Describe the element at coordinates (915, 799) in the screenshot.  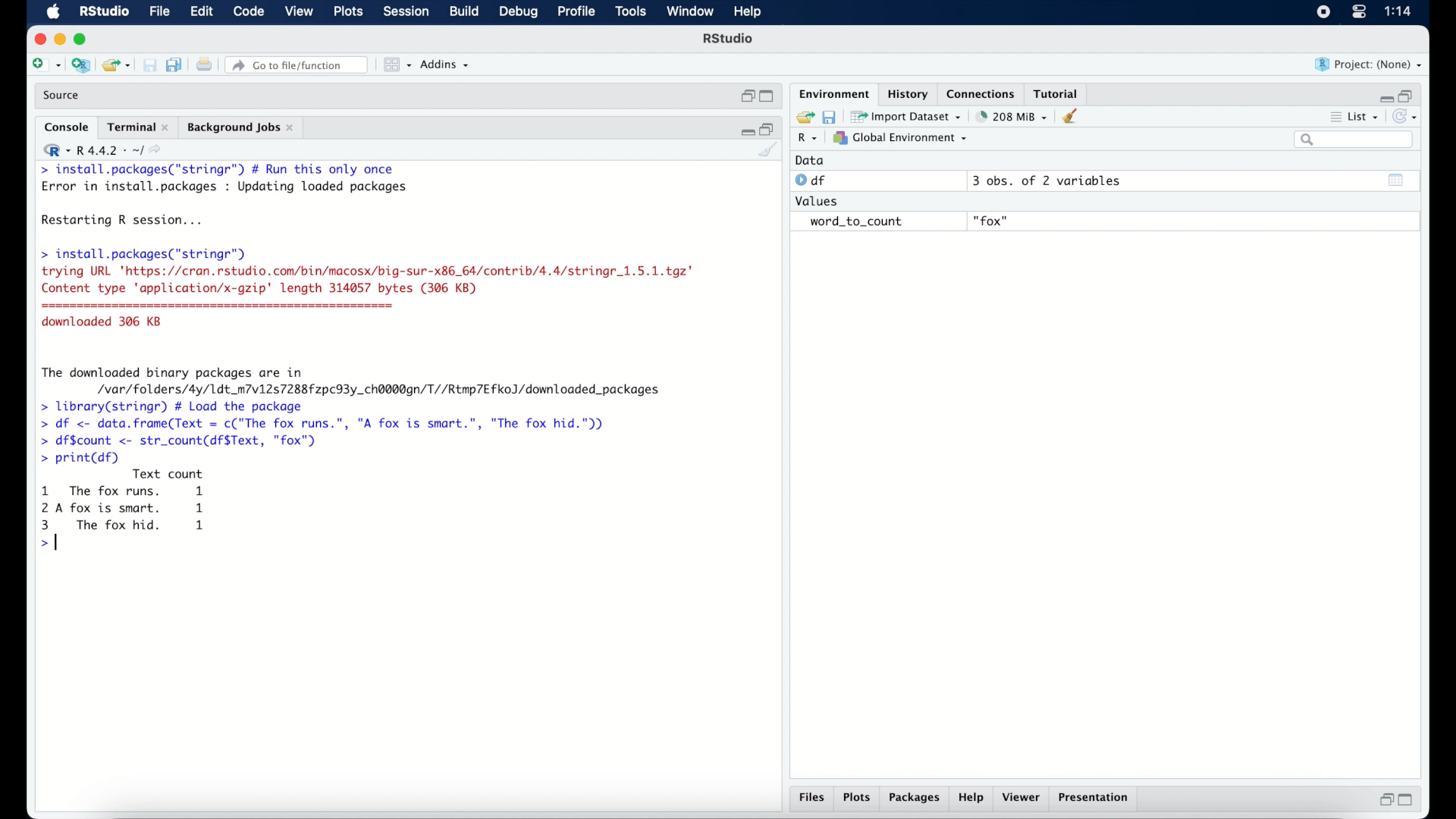
I see `packages` at that location.